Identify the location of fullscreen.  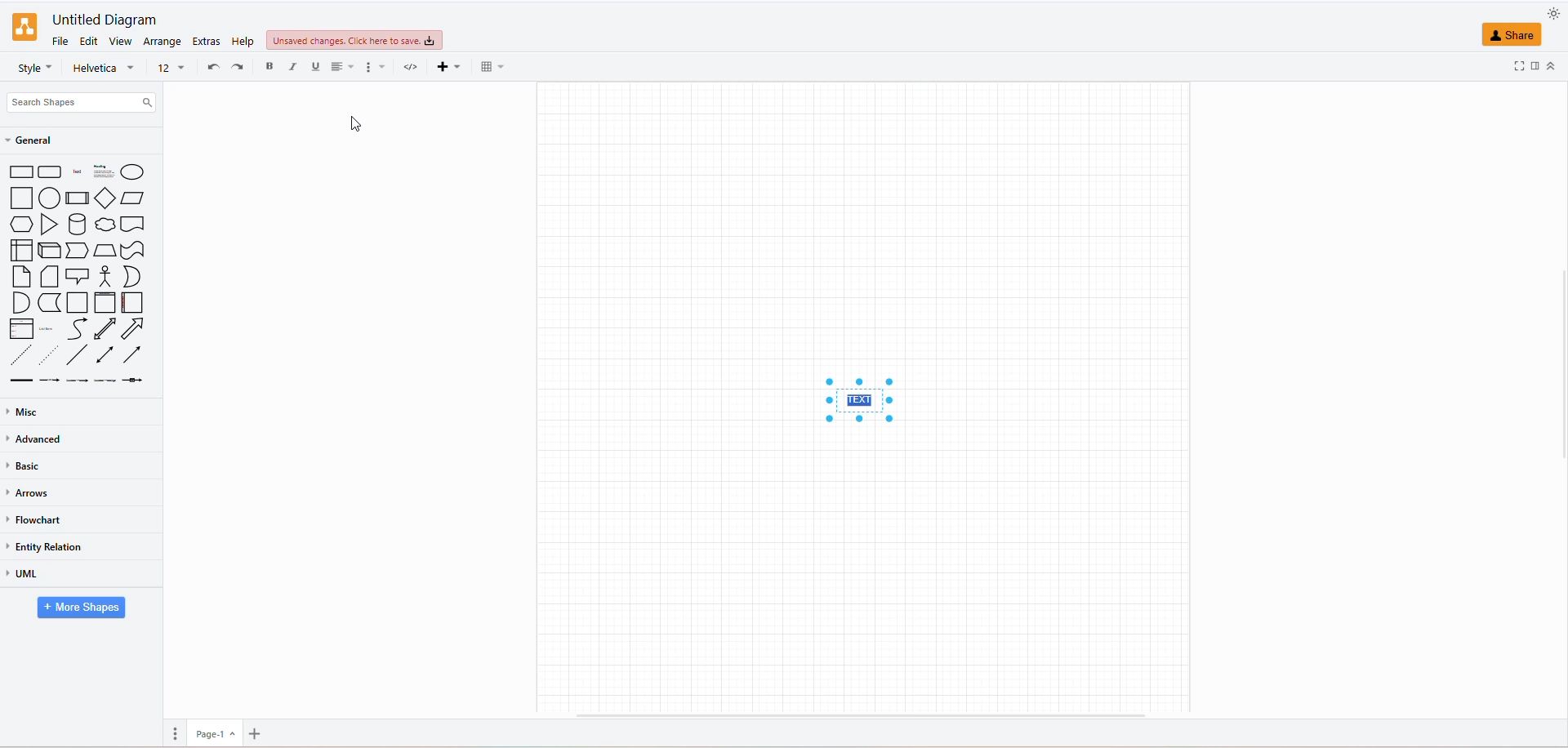
(1519, 65).